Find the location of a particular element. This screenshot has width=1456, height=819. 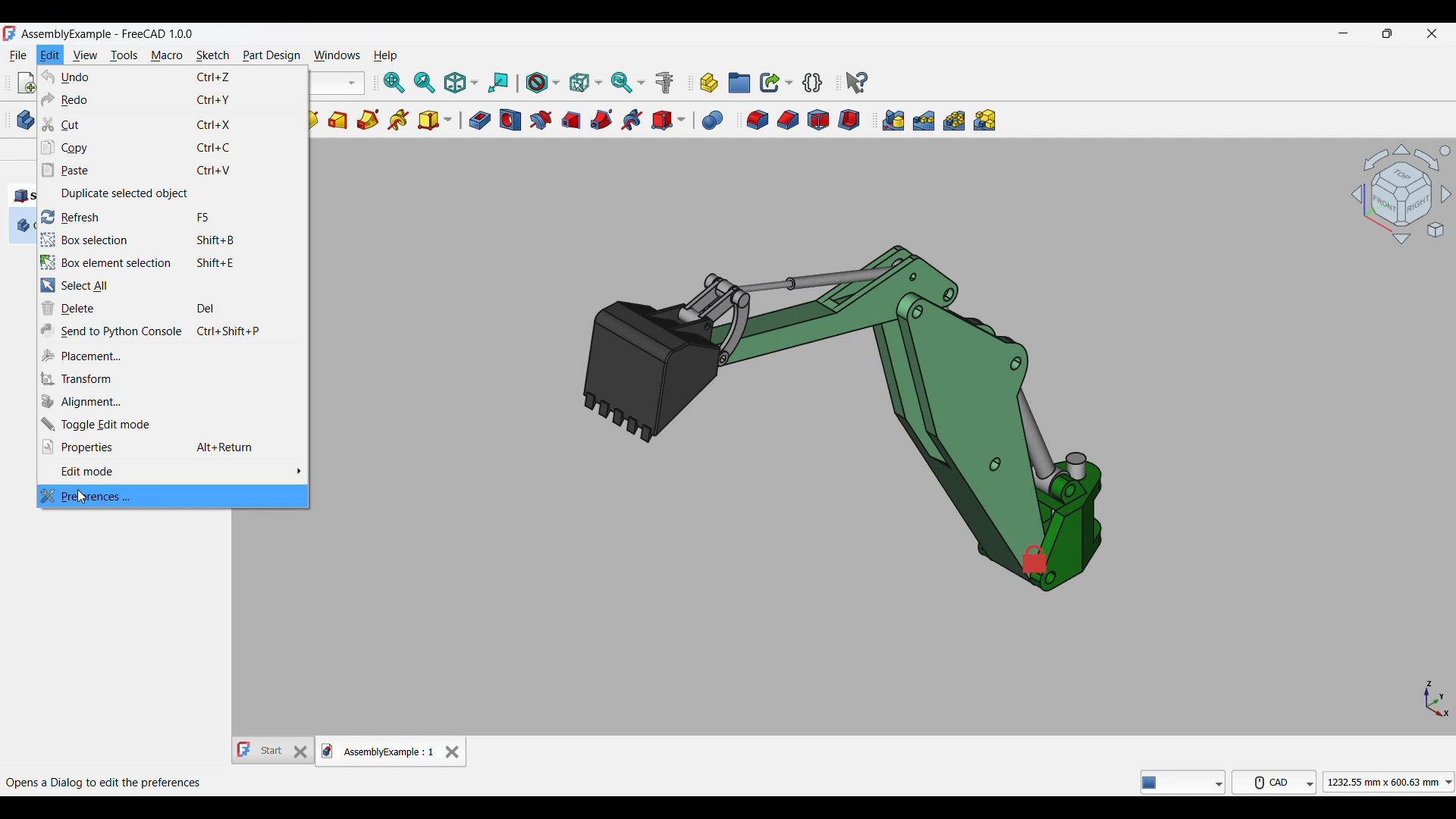

Toggle edit mode is located at coordinates (171, 424).